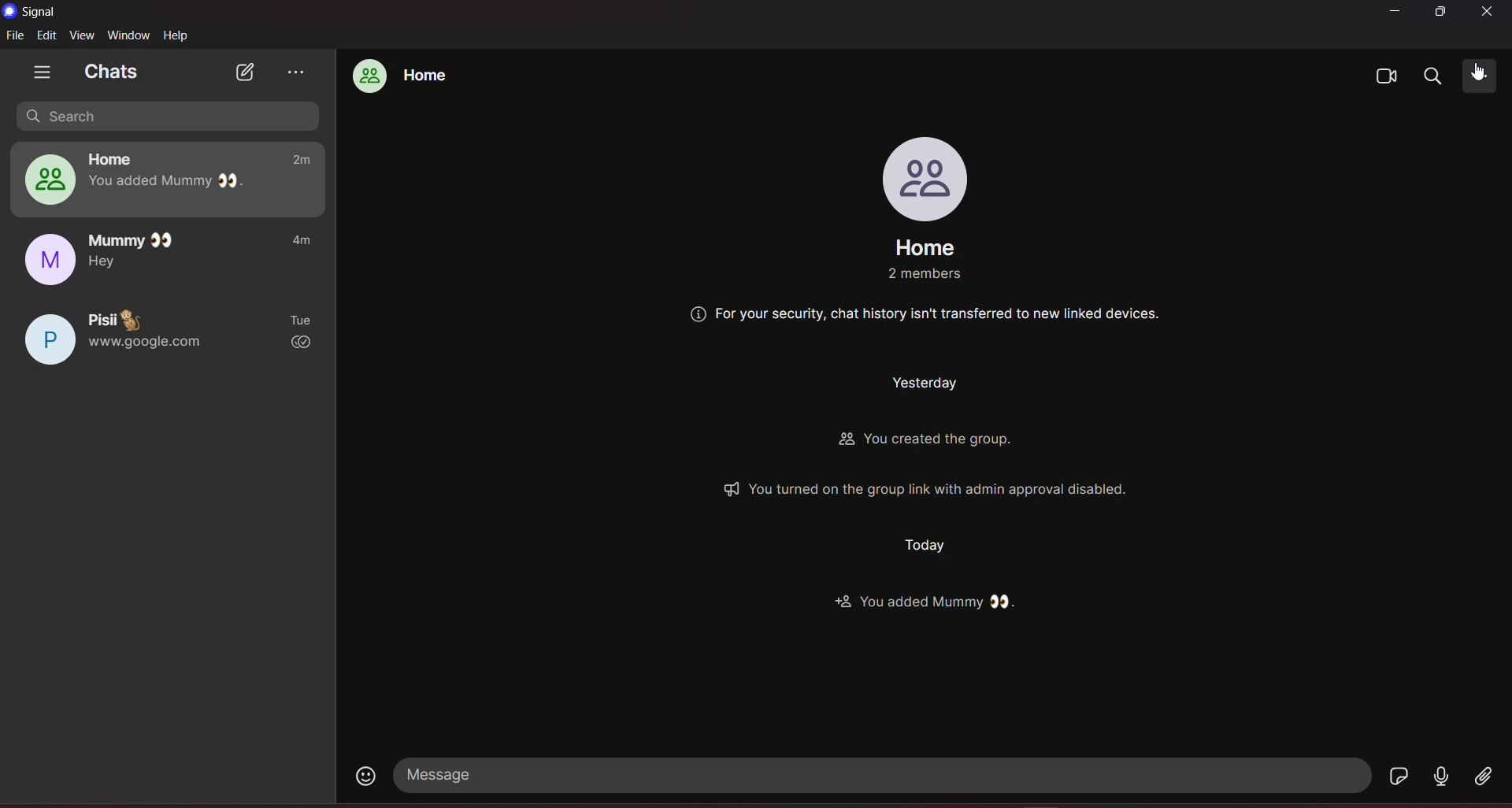 Image resolution: width=1512 pixels, height=808 pixels. I want to click on show tabs, so click(41, 72).